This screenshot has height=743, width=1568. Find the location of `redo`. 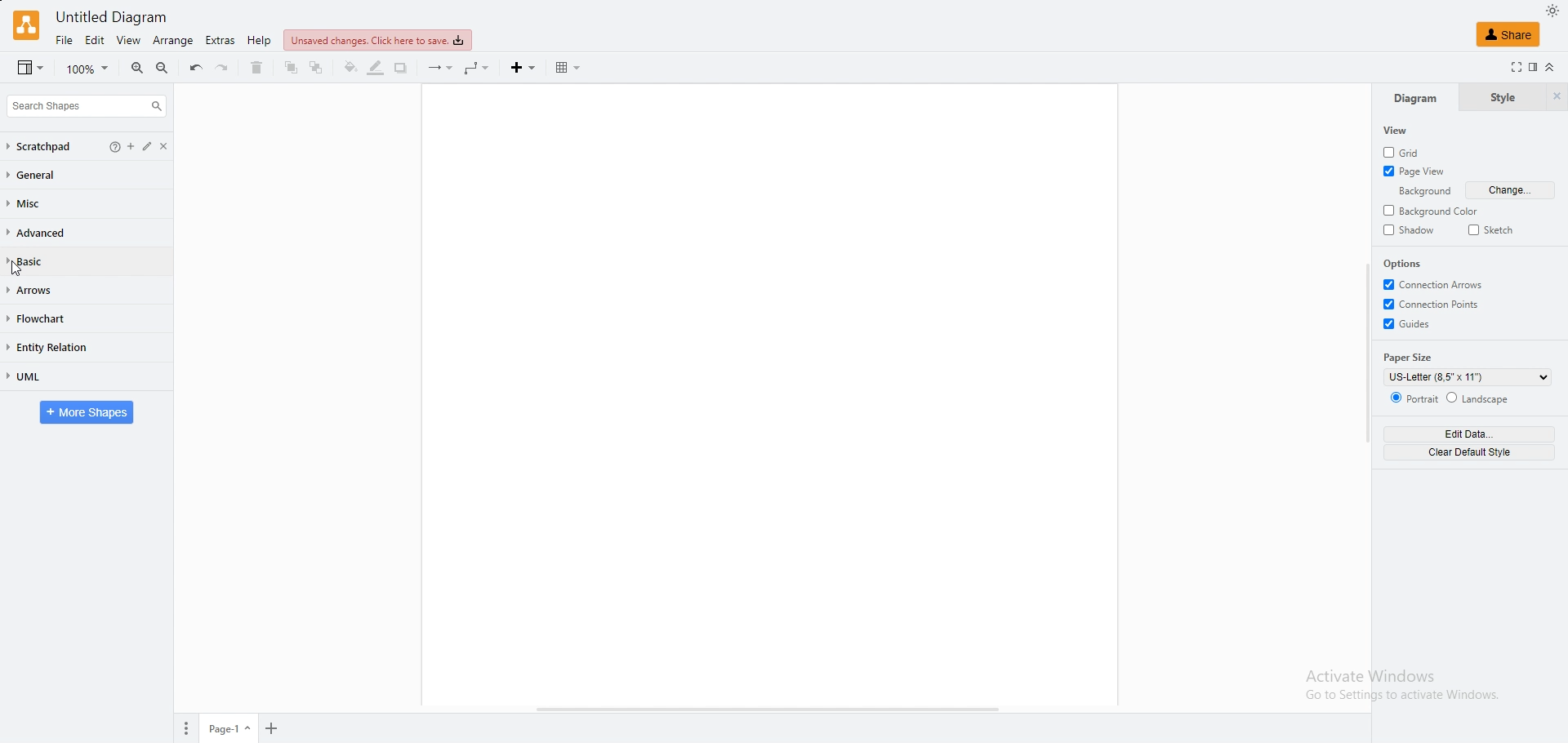

redo is located at coordinates (223, 68).